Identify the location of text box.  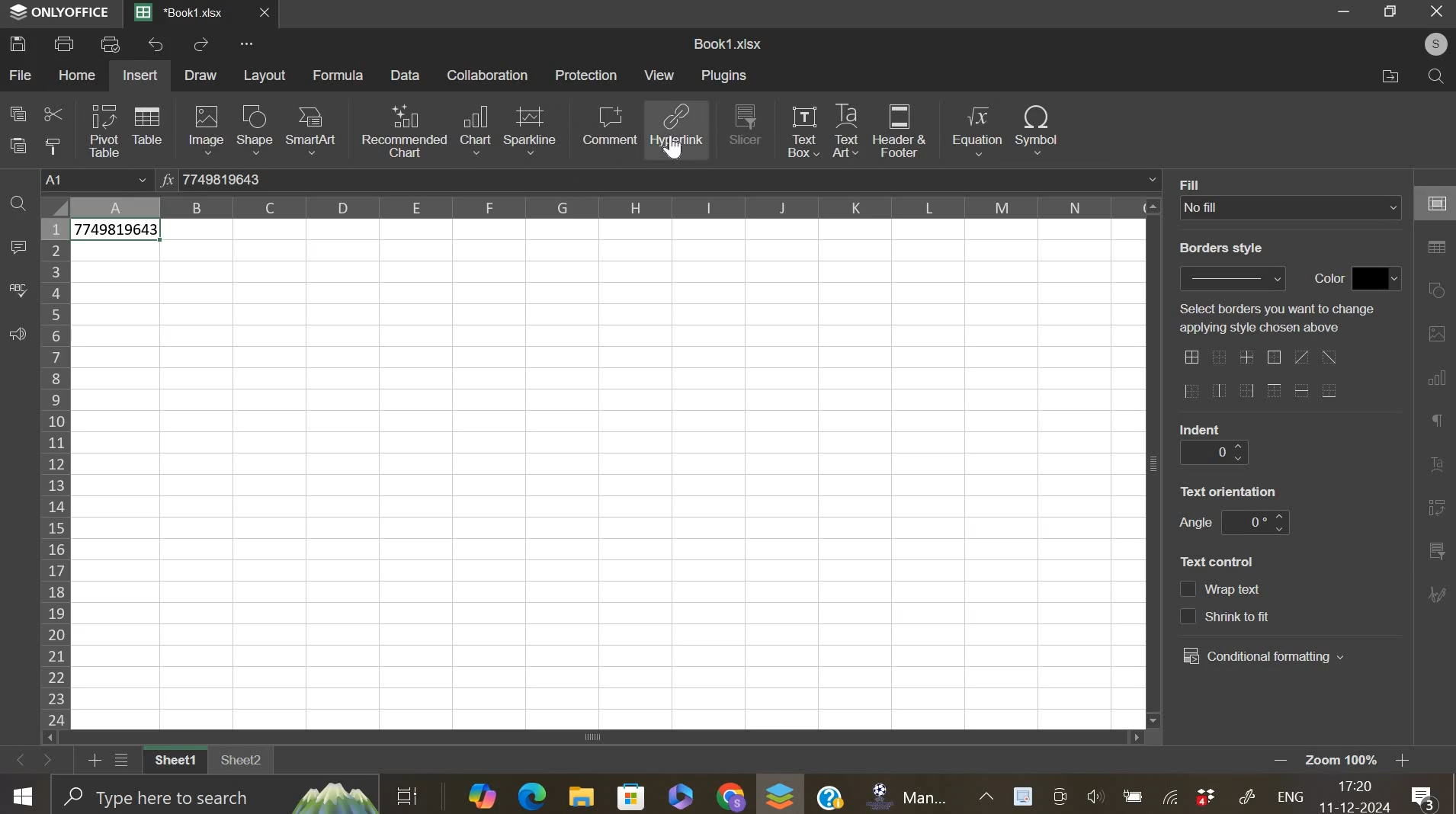
(802, 130).